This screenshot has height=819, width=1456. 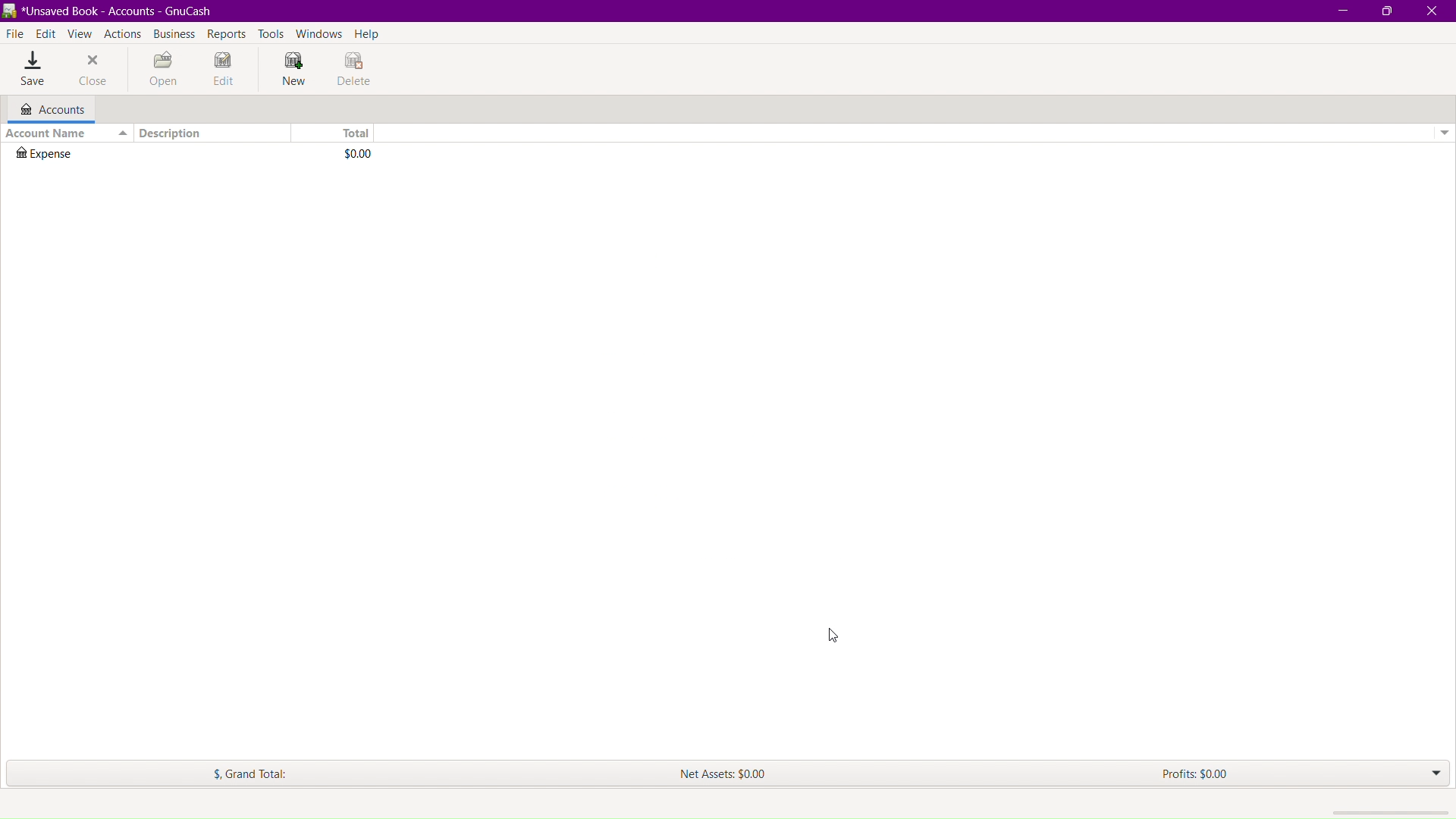 I want to click on Total, so click(x=334, y=134).